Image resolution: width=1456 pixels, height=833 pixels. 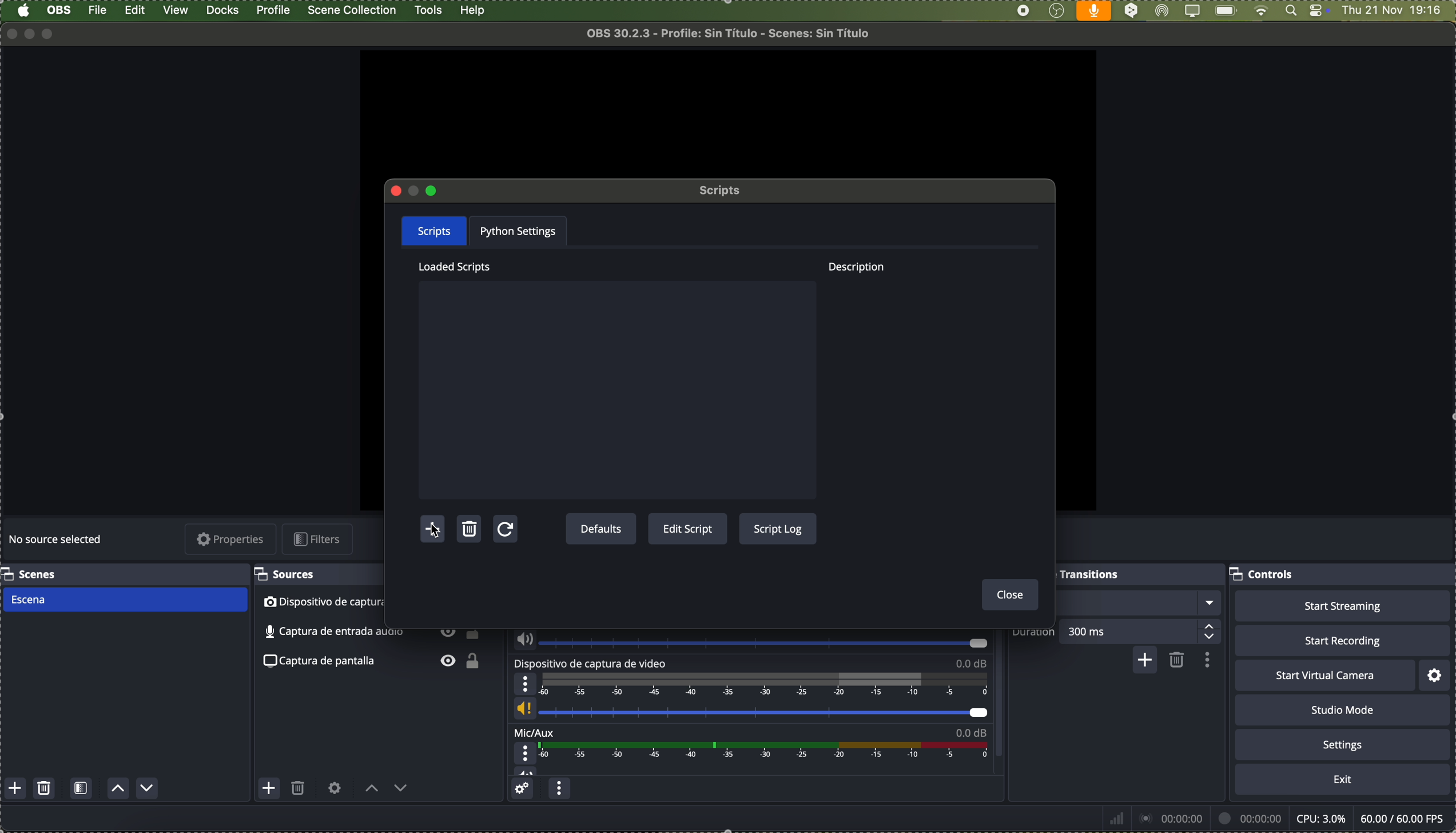 What do you see at coordinates (232, 540) in the screenshot?
I see `properties` at bounding box center [232, 540].